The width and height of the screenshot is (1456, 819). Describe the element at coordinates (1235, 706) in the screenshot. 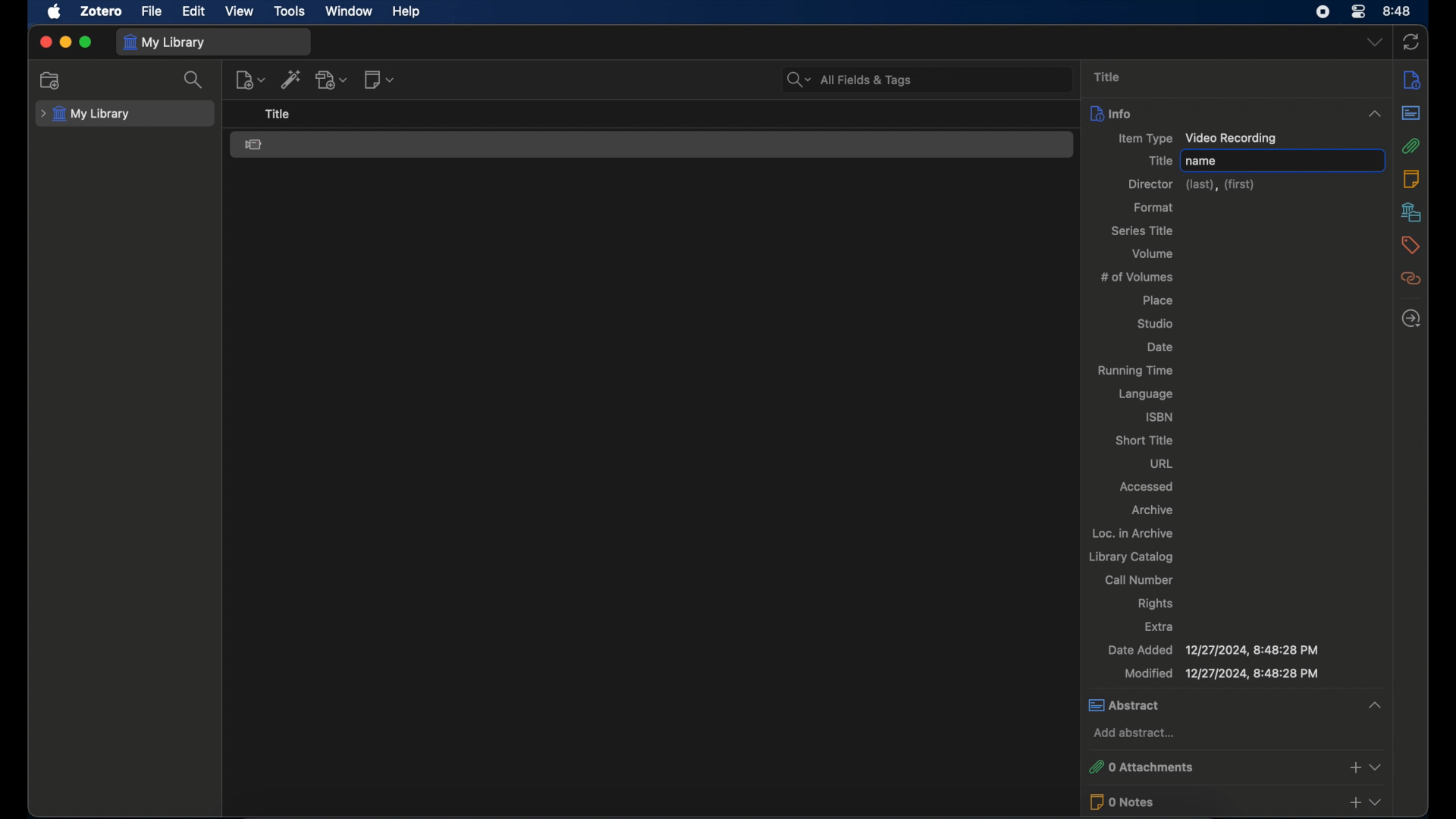

I see `abstract` at that location.